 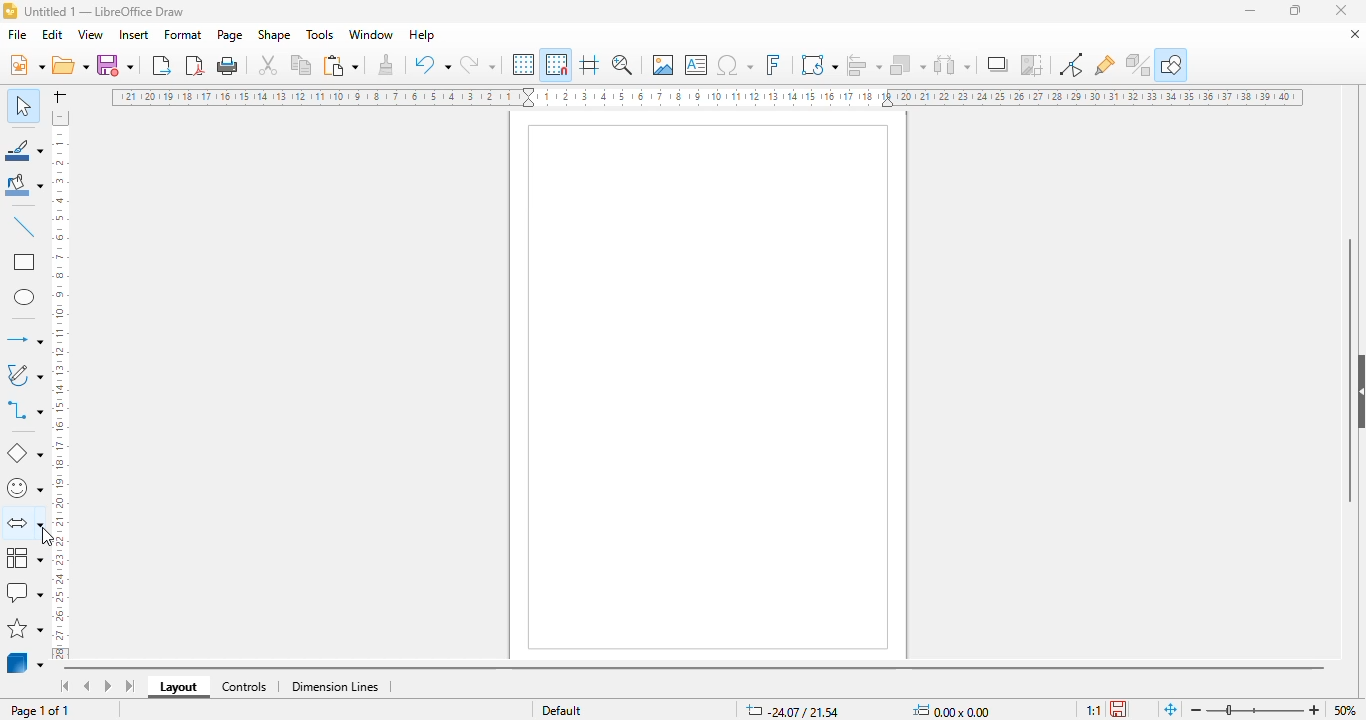 What do you see at coordinates (1172, 64) in the screenshot?
I see `show draw functions` at bounding box center [1172, 64].